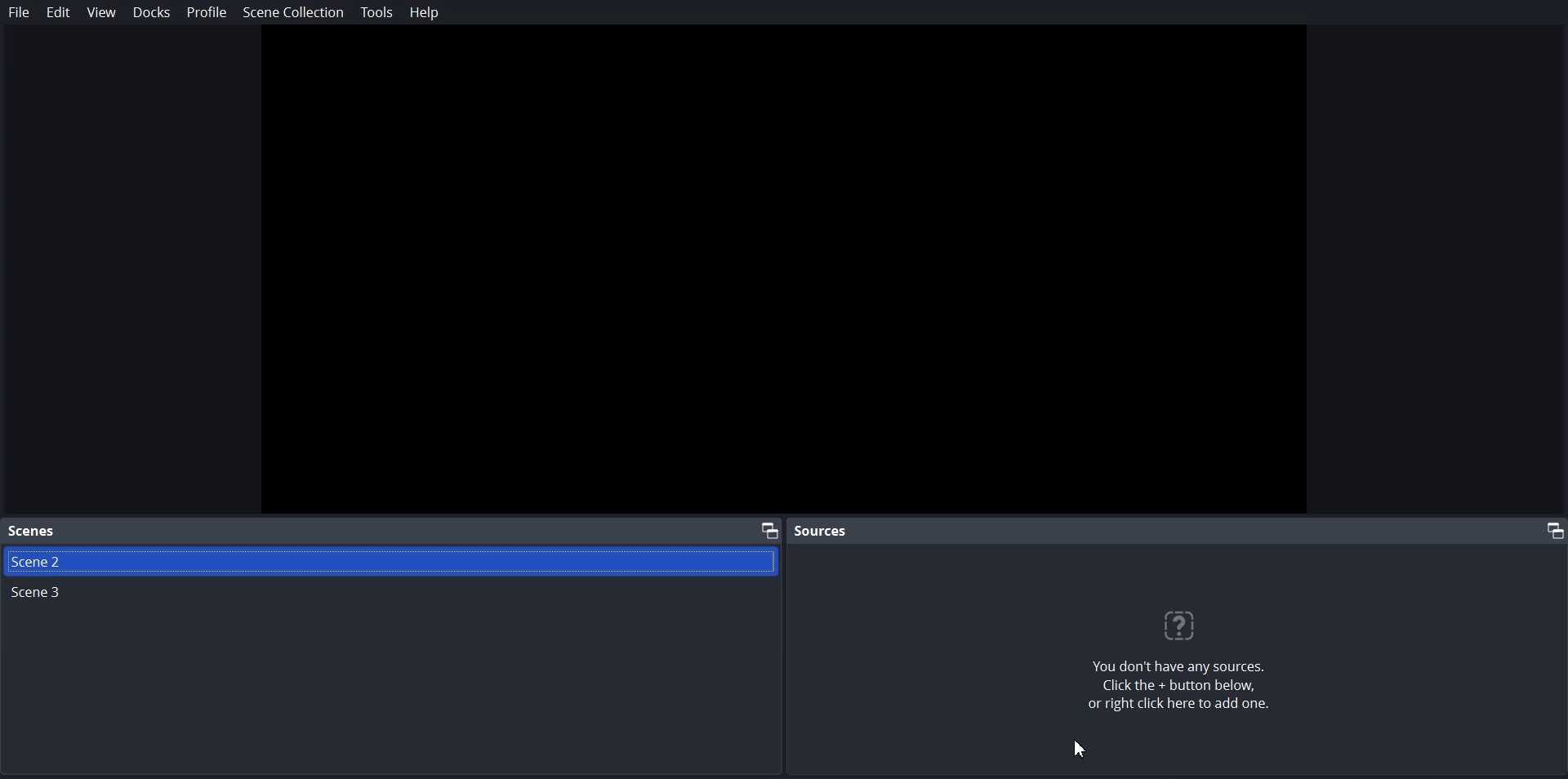  What do you see at coordinates (33, 532) in the screenshot?
I see `Scene` at bounding box center [33, 532].